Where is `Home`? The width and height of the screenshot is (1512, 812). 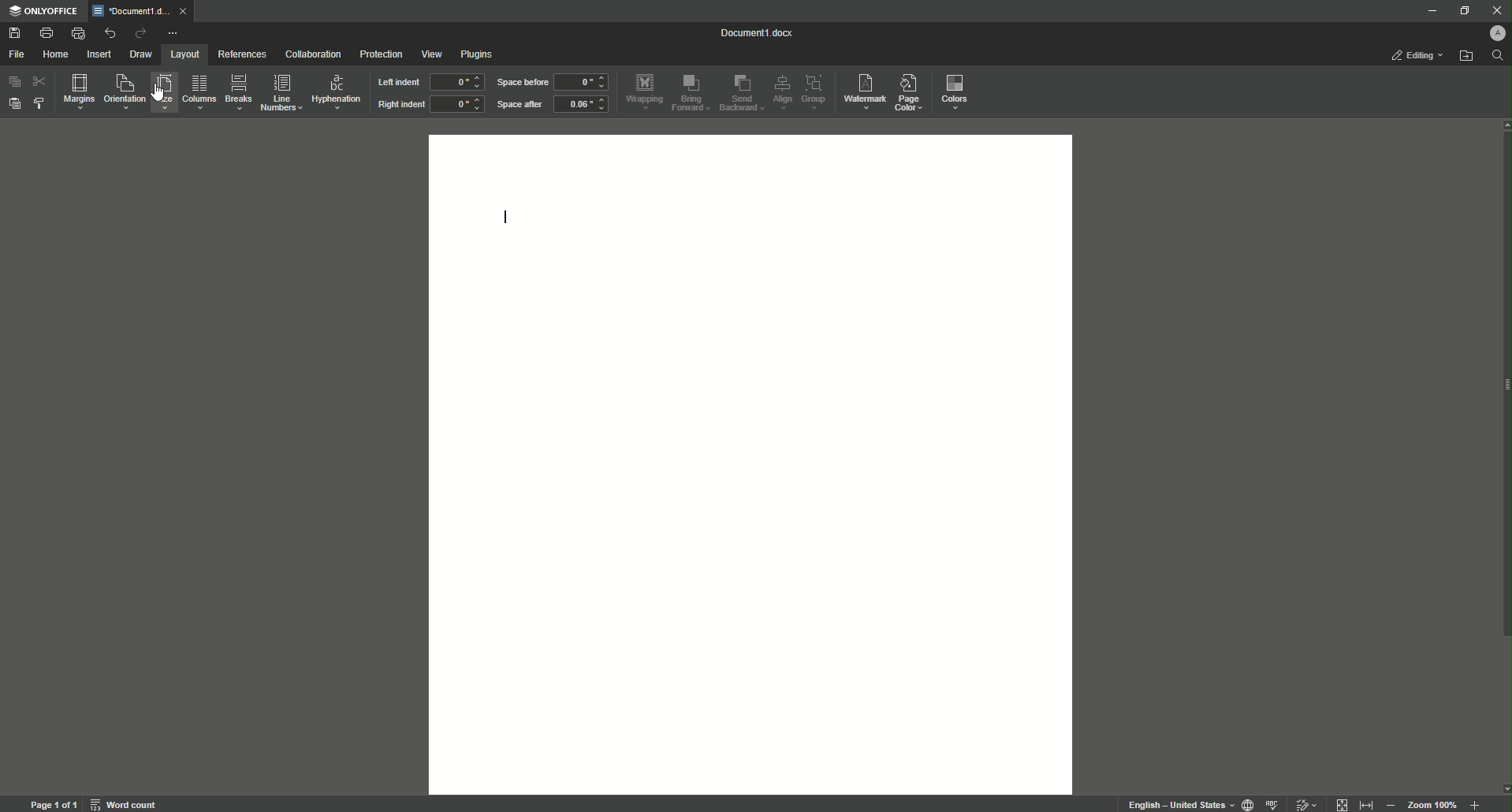 Home is located at coordinates (58, 55).